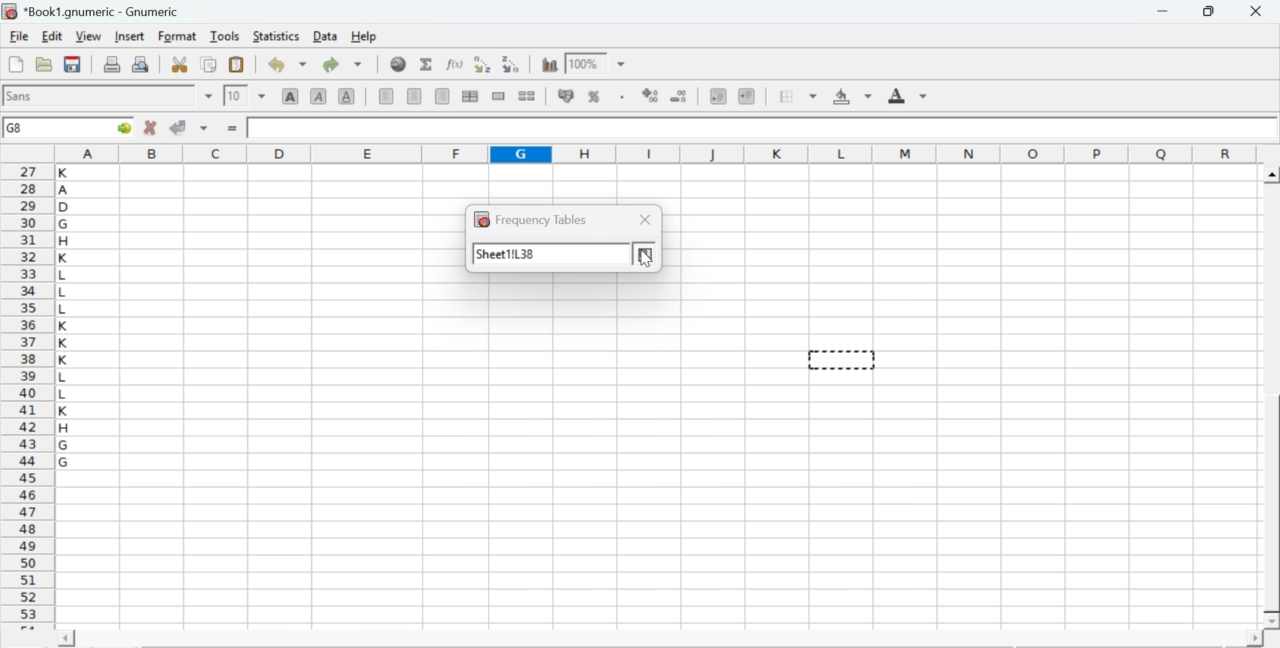 The image size is (1280, 648). Describe the element at coordinates (799, 96) in the screenshot. I see `borders` at that location.